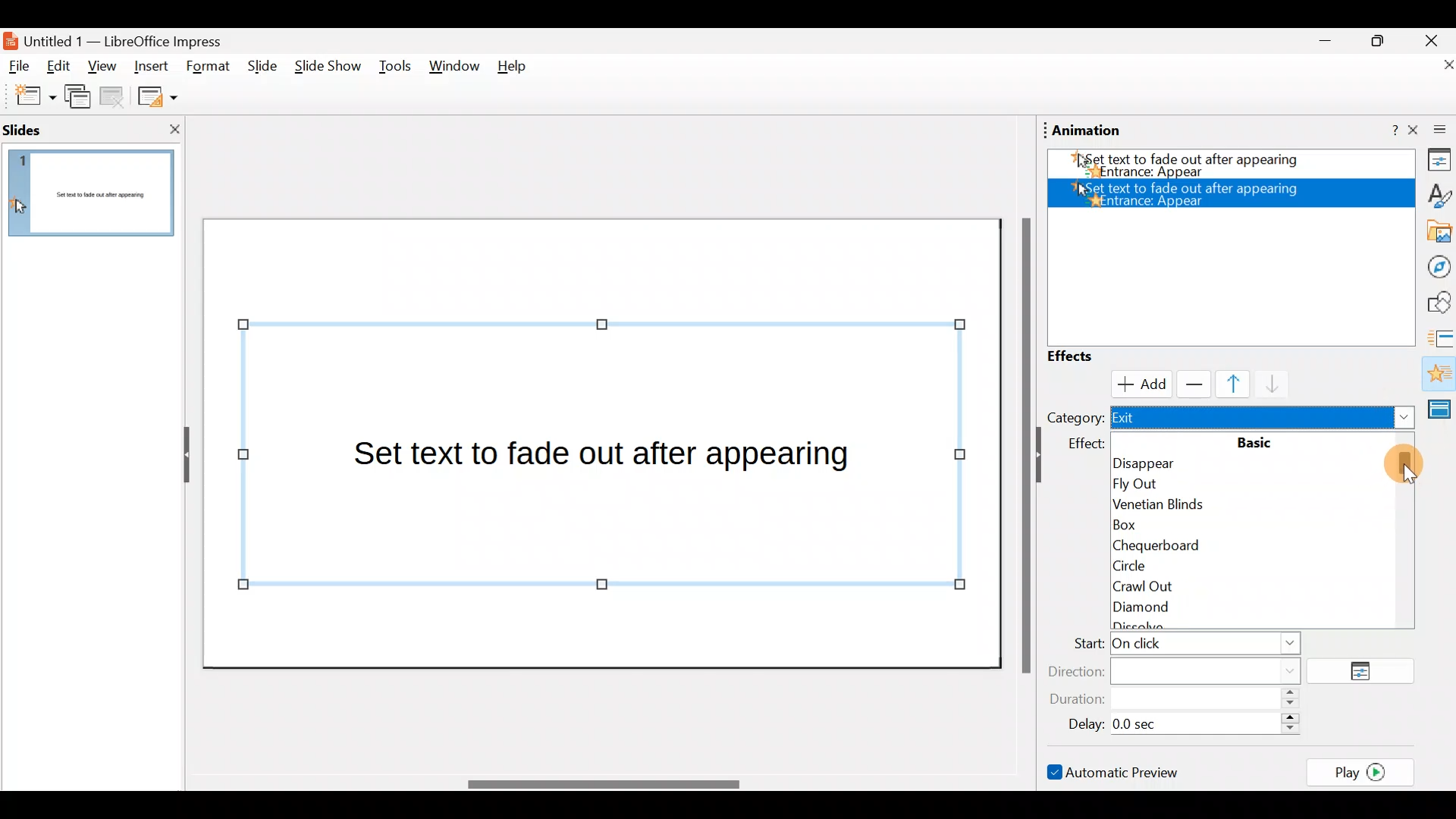 The width and height of the screenshot is (1456, 819). Describe the element at coordinates (1433, 130) in the screenshot. I see `Close sidebar deck` at that location.